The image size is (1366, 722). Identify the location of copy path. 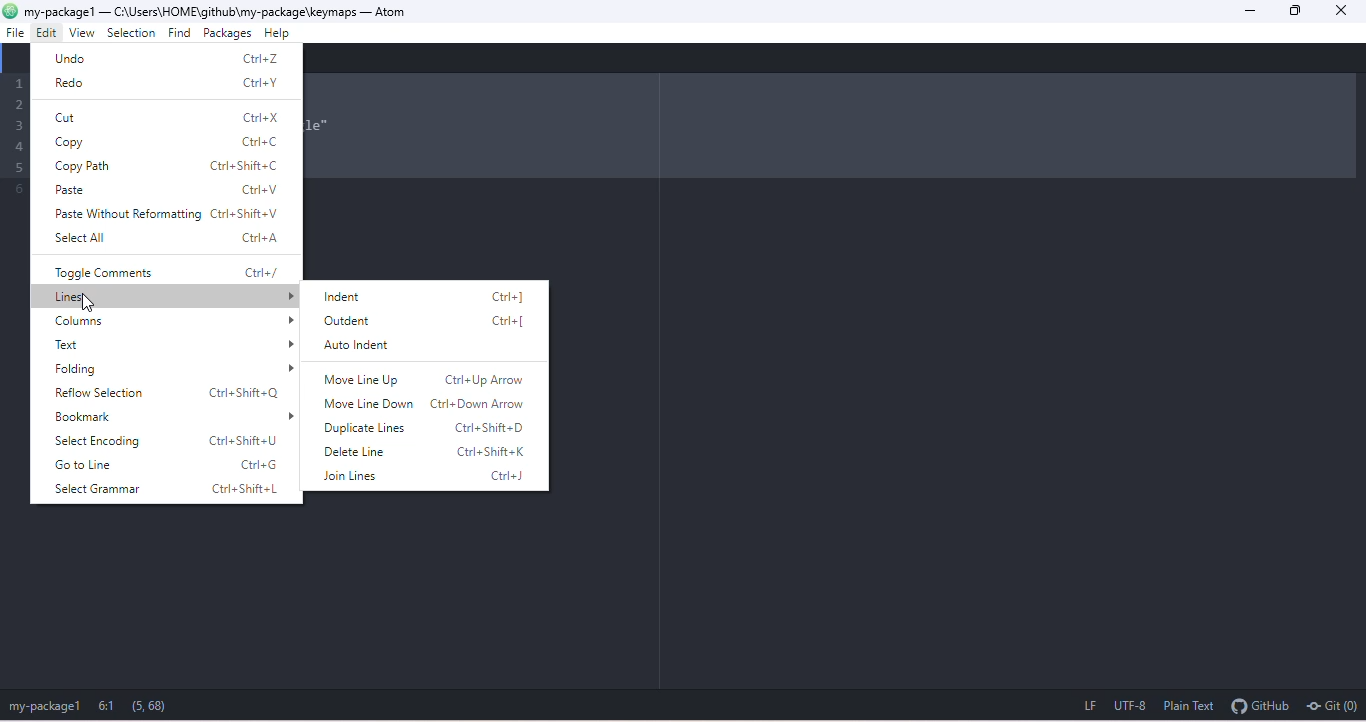
(170, 165).